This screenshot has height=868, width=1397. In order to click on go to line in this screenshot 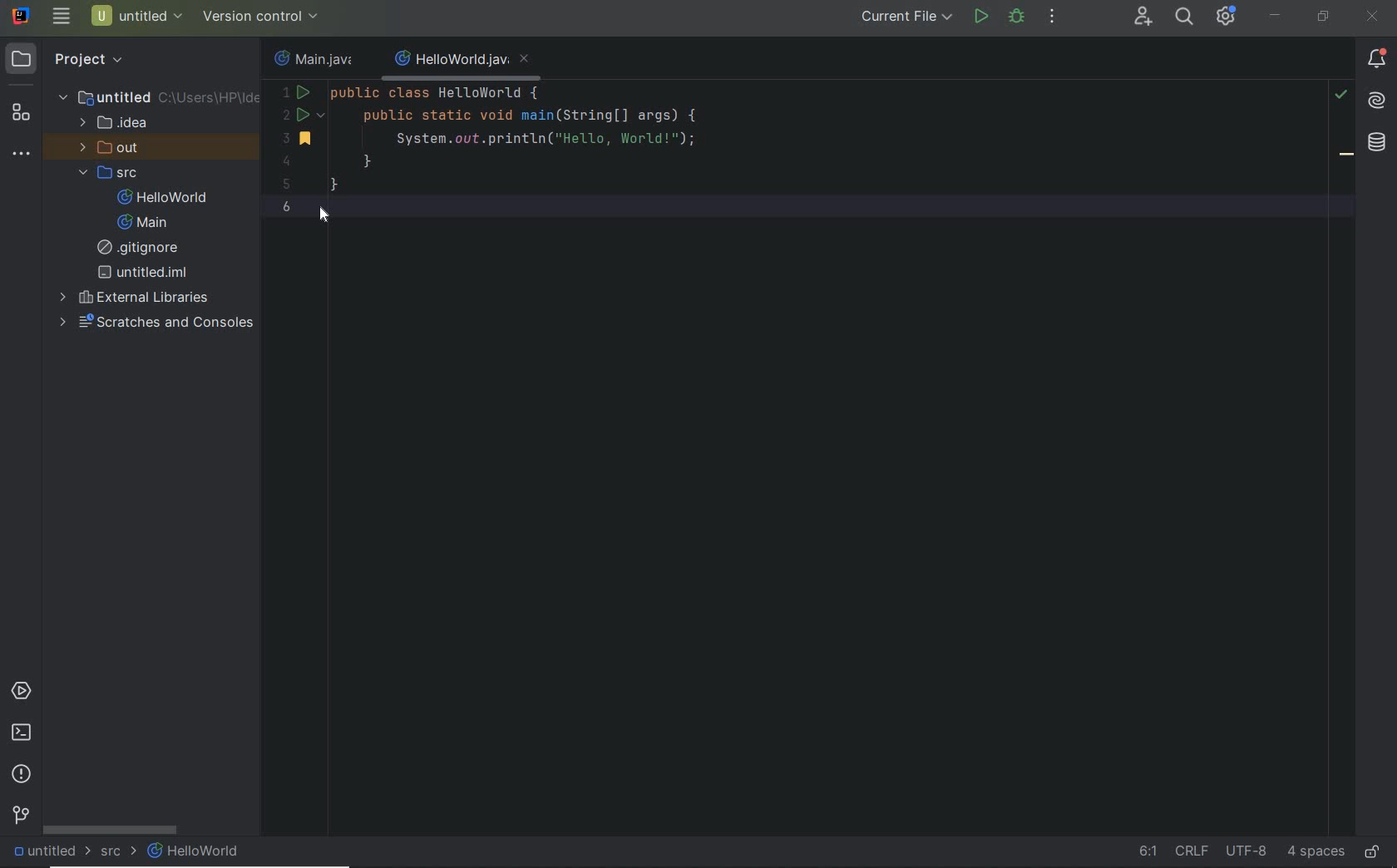, I will do `click(1148, 849)`.